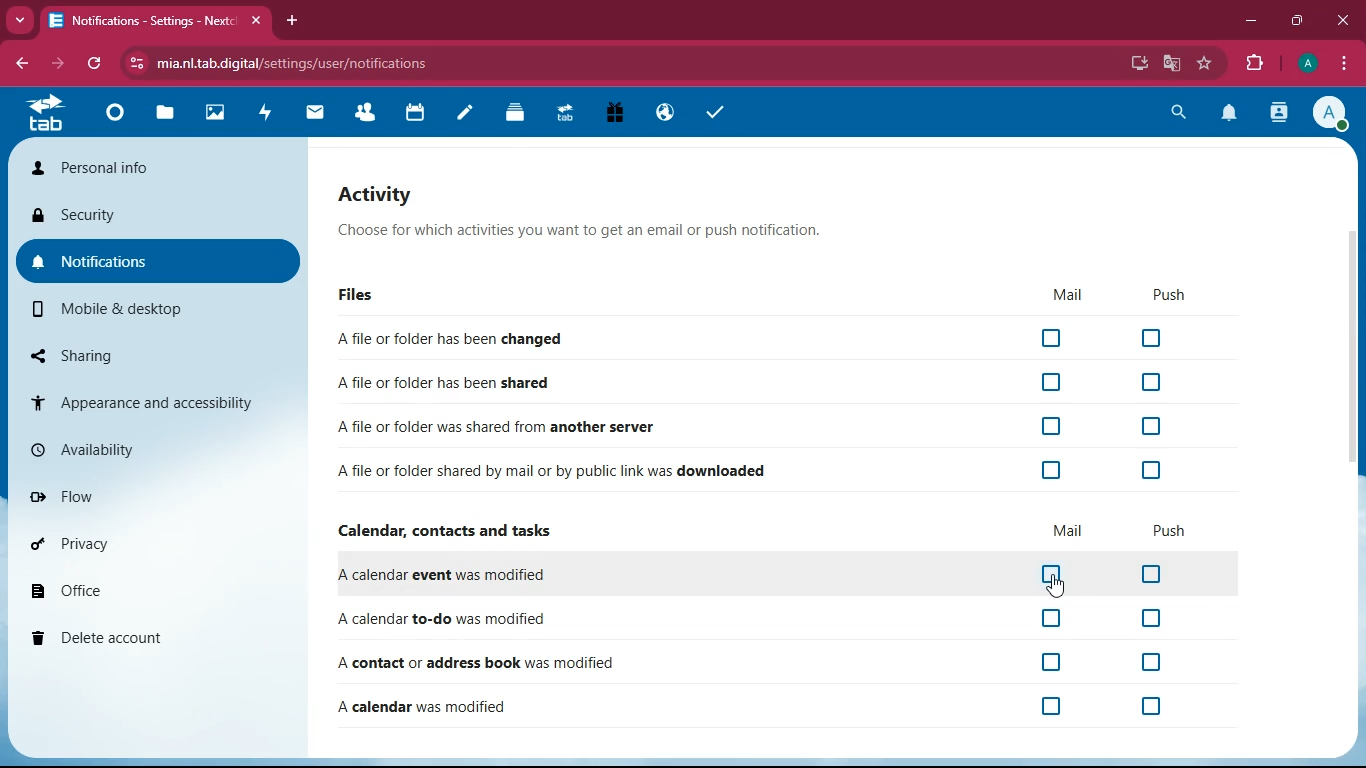  What do you see at coordinates (145, 22) in the screenshot?
I see `Notifications- Setting - Next` at bounding box center [145, 22].